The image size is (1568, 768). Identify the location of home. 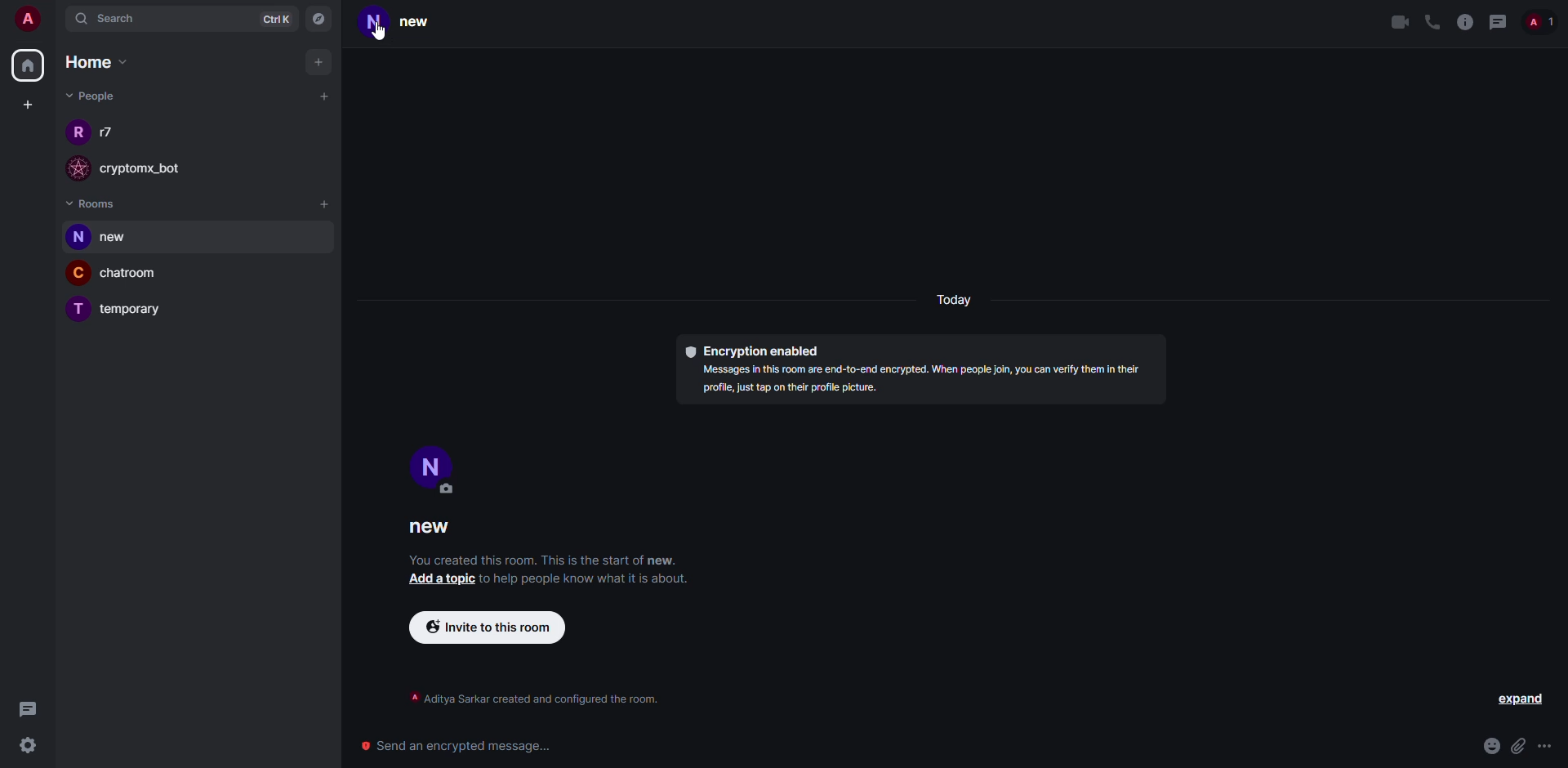
(100, 63).